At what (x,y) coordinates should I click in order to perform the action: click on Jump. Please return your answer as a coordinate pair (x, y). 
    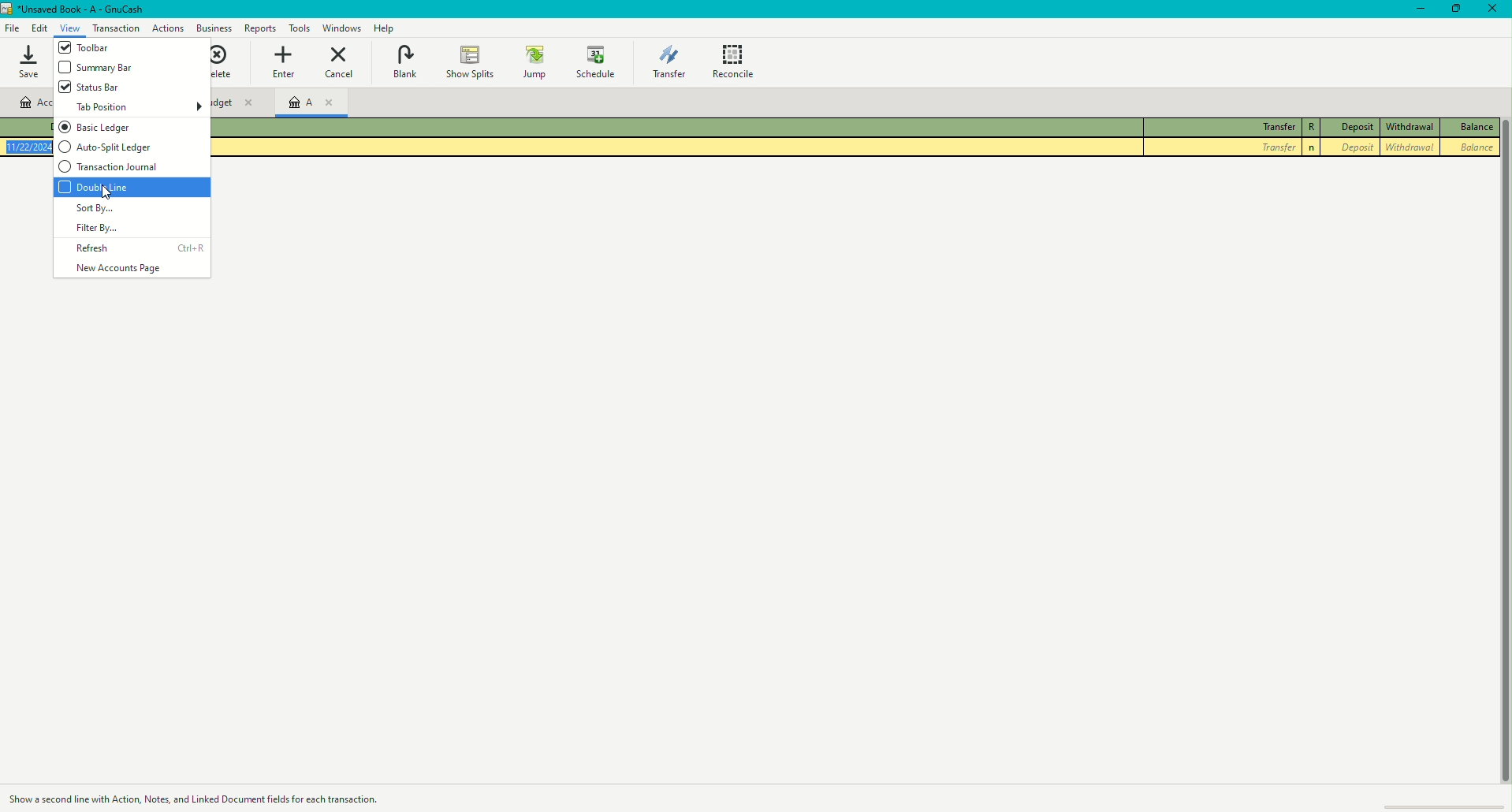
    Looking at the image, I should click on (532, 61).